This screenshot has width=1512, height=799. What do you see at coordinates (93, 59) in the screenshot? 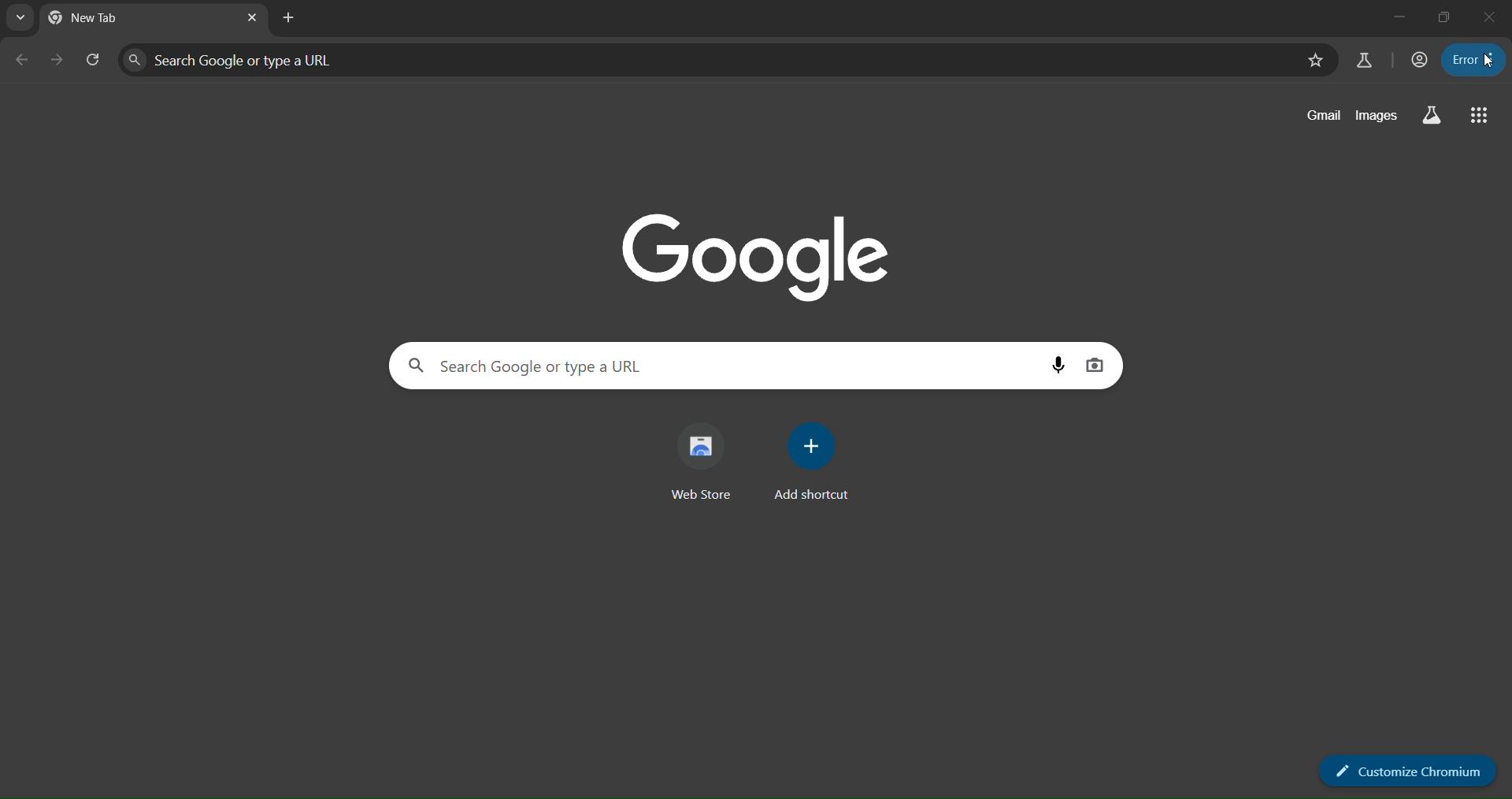
I see `search panel` at bounding box center [93, 59].